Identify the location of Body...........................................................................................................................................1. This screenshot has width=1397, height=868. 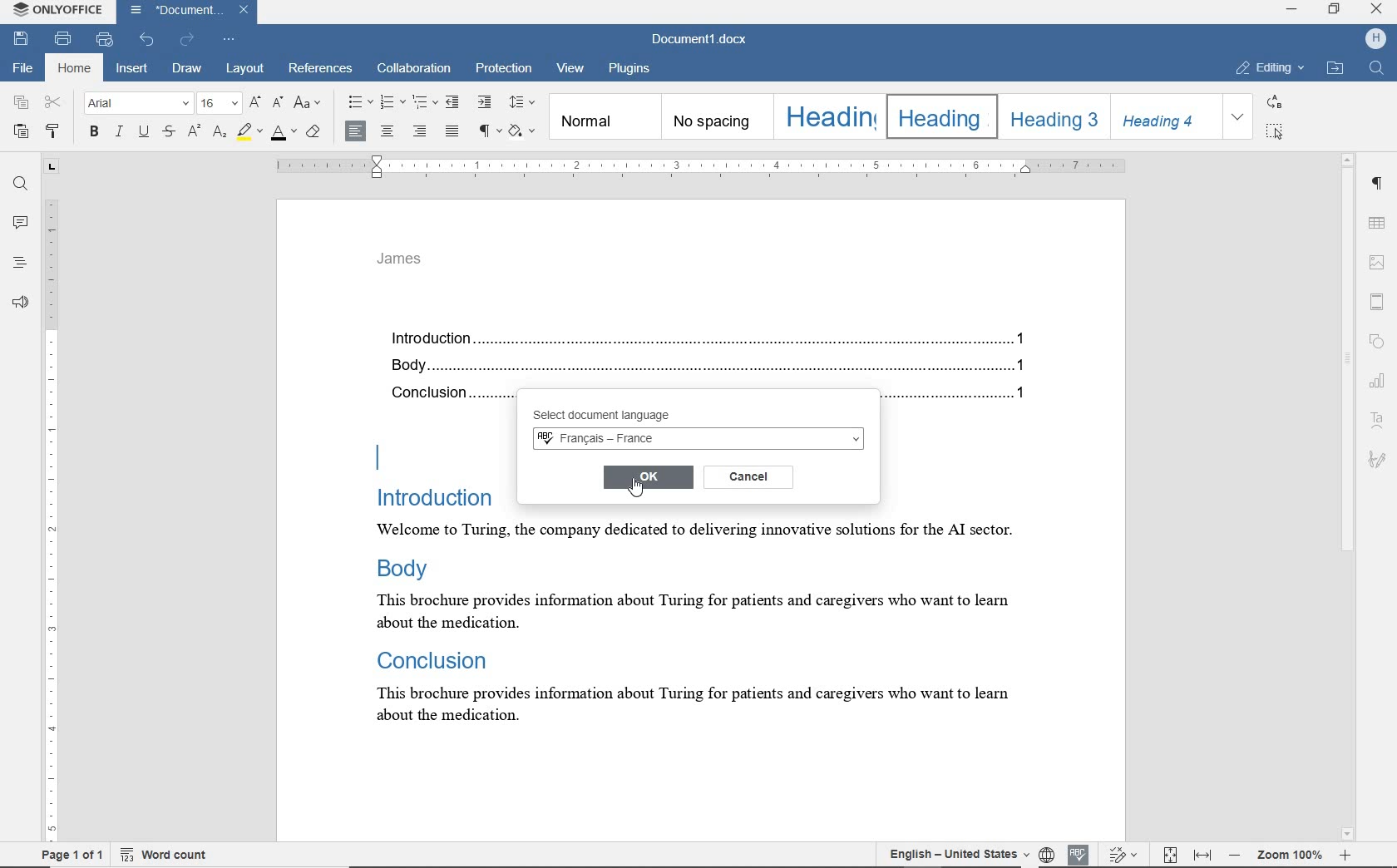
(714, 367).